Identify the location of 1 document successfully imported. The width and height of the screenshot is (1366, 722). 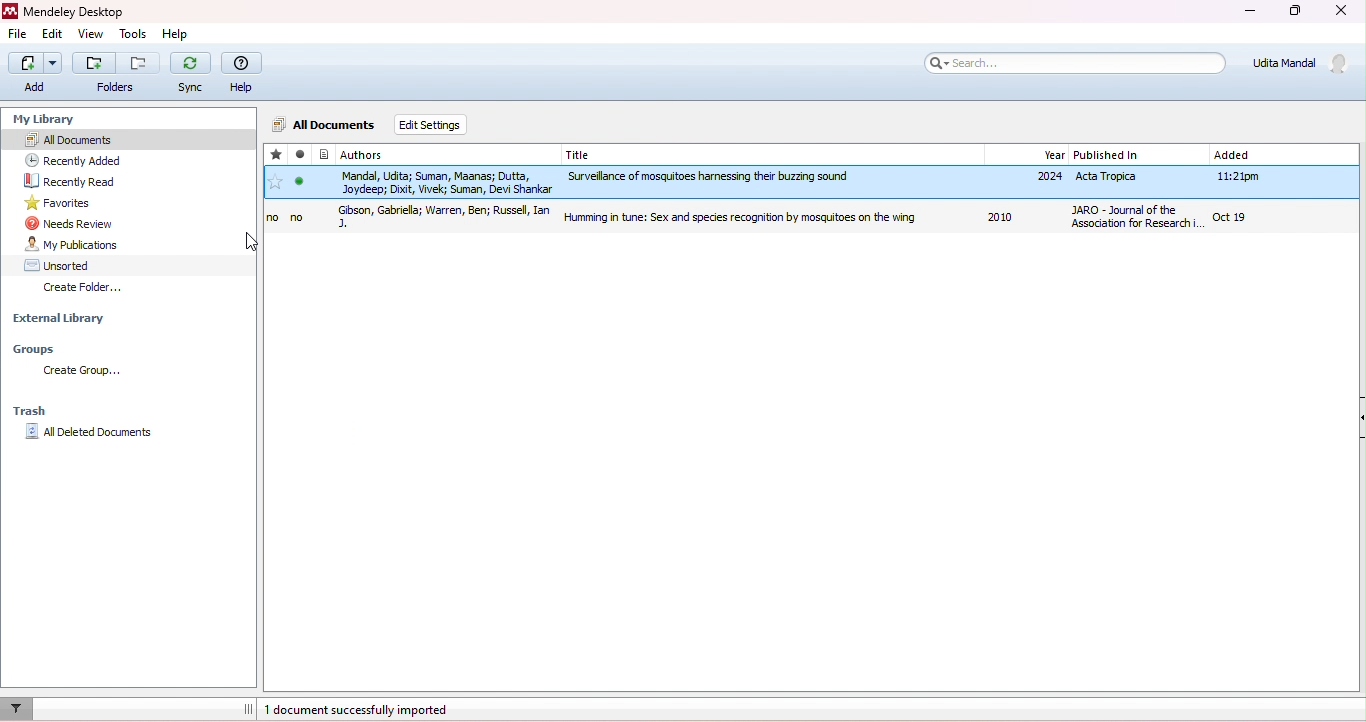
(368, 709).